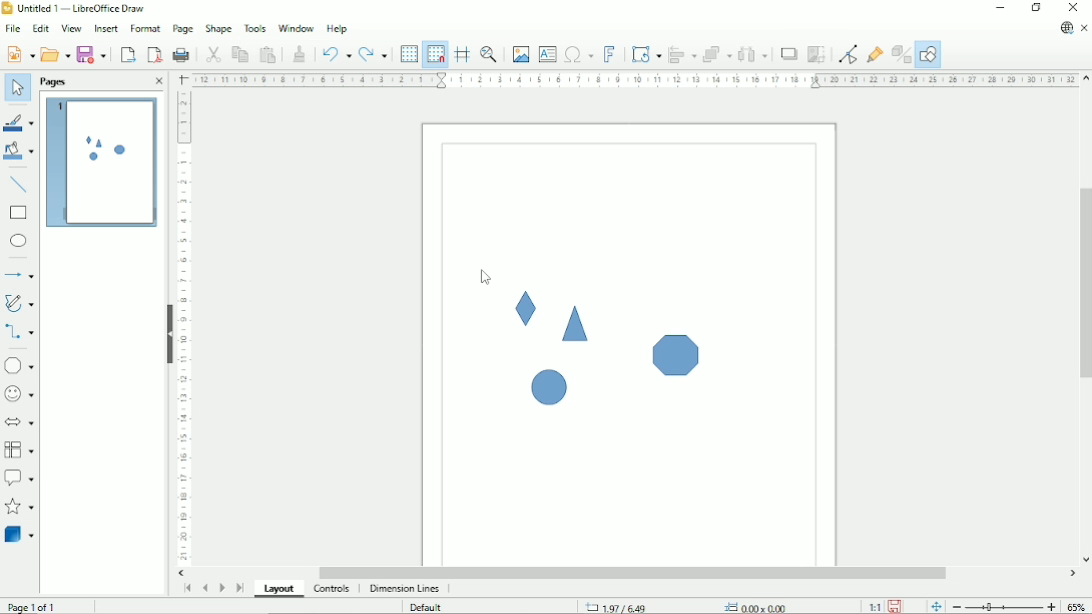 This screenshot has width=1092, height=614. I want to click on Page 1 of 1, so click(43, 606).